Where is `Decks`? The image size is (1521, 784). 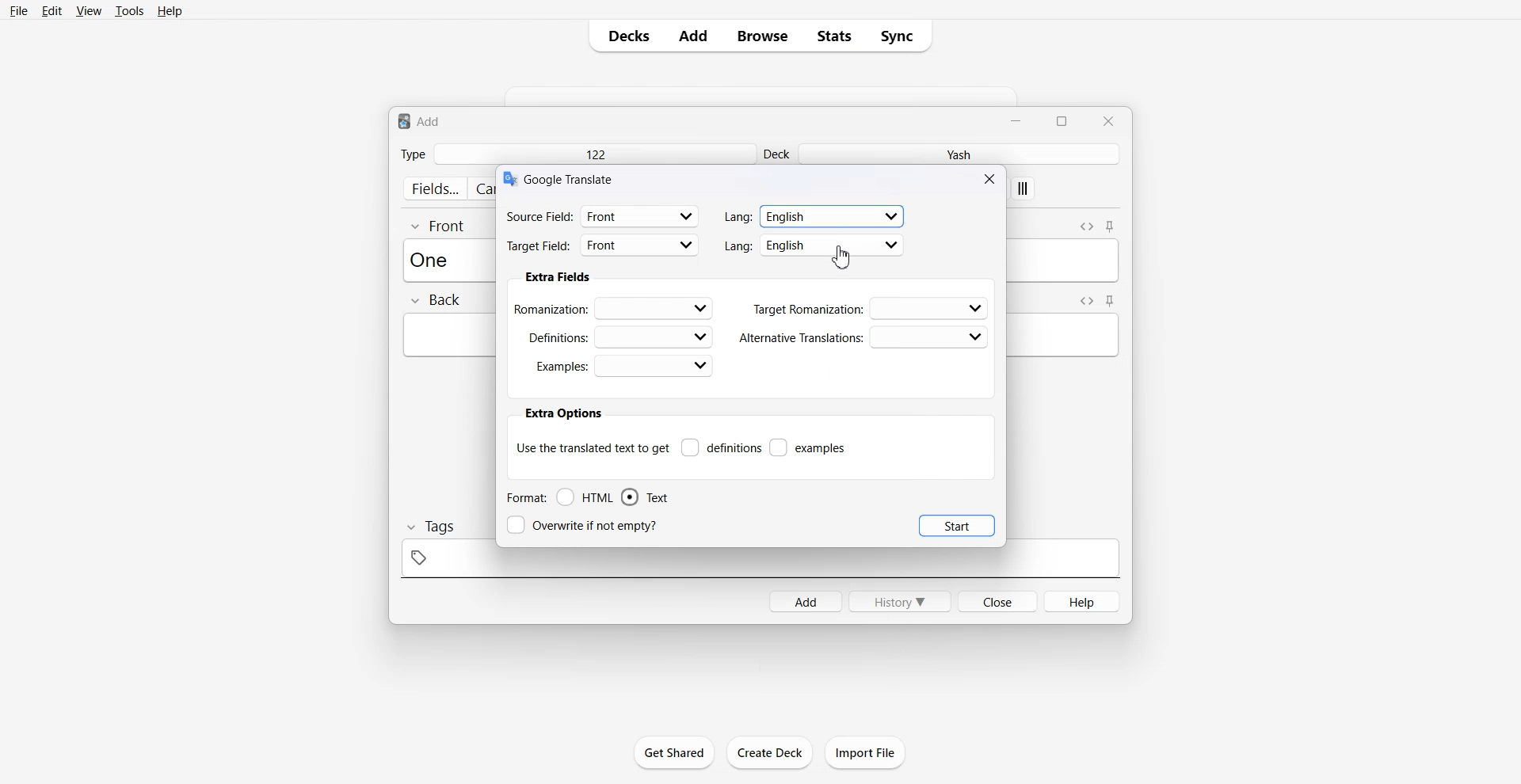 Decks is located at coordinates (623, 36).